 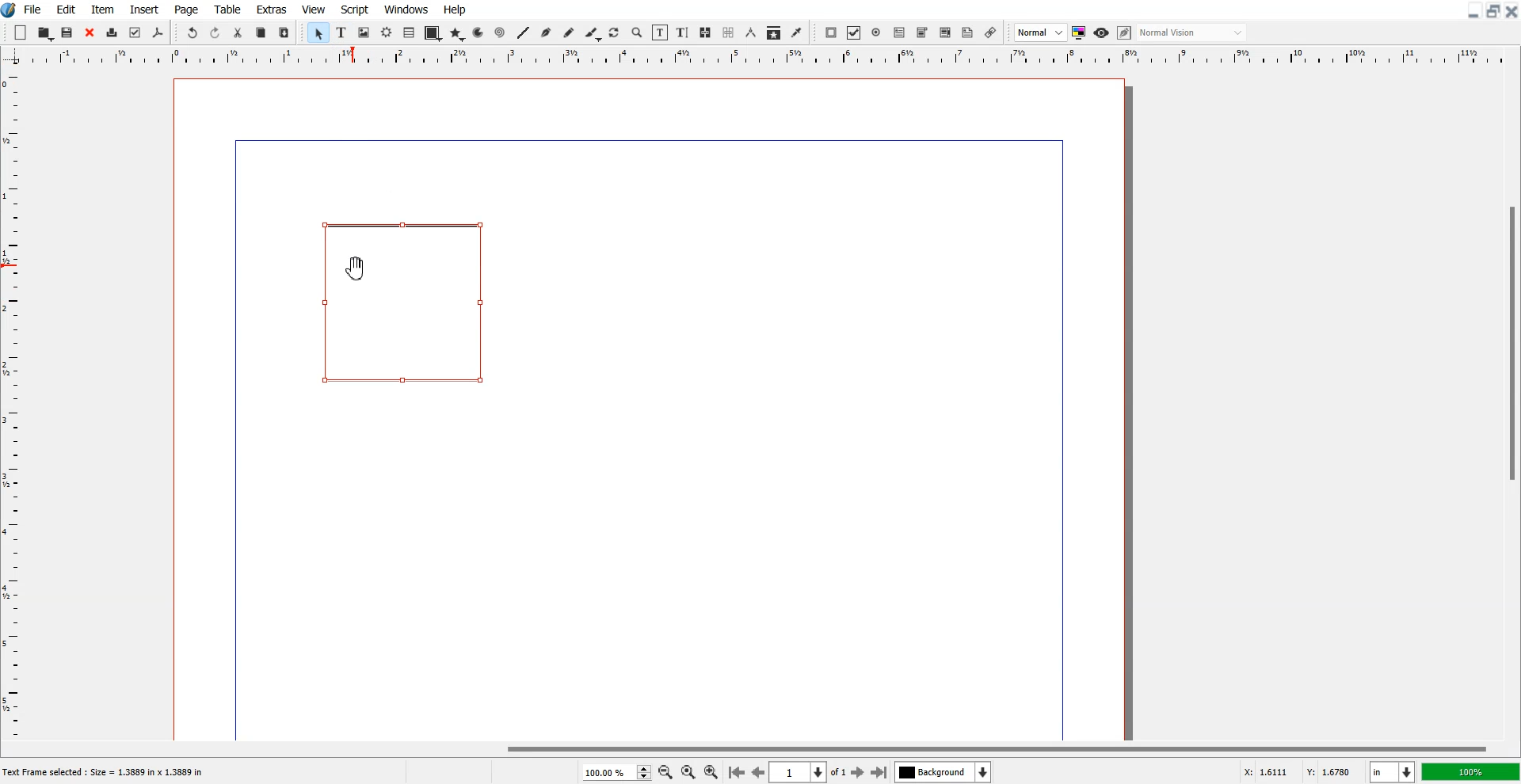 I want to click on Go to next Page, so click(x=858, y=773).